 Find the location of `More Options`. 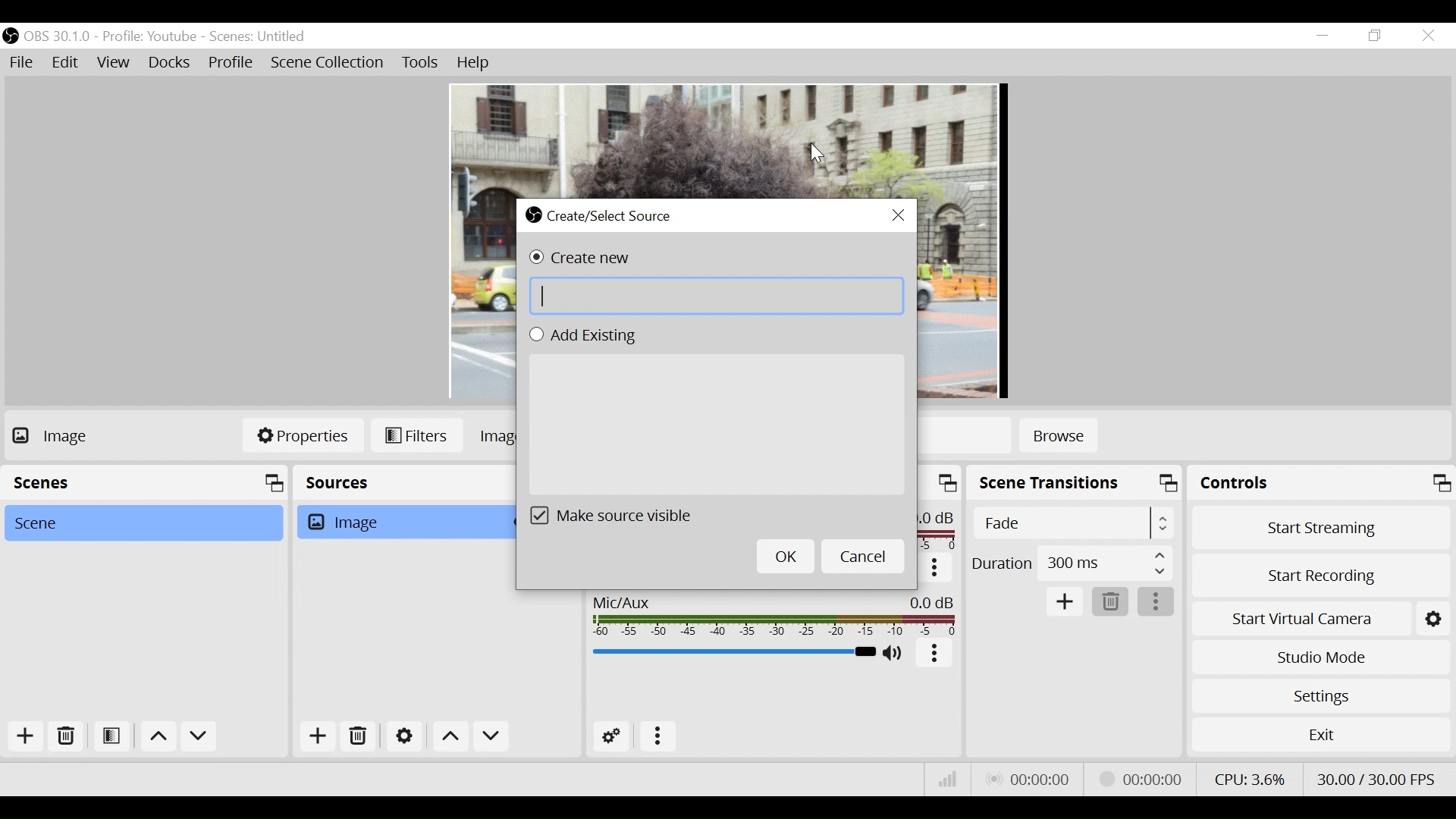

More Options is located at coordinates (1155, 601).